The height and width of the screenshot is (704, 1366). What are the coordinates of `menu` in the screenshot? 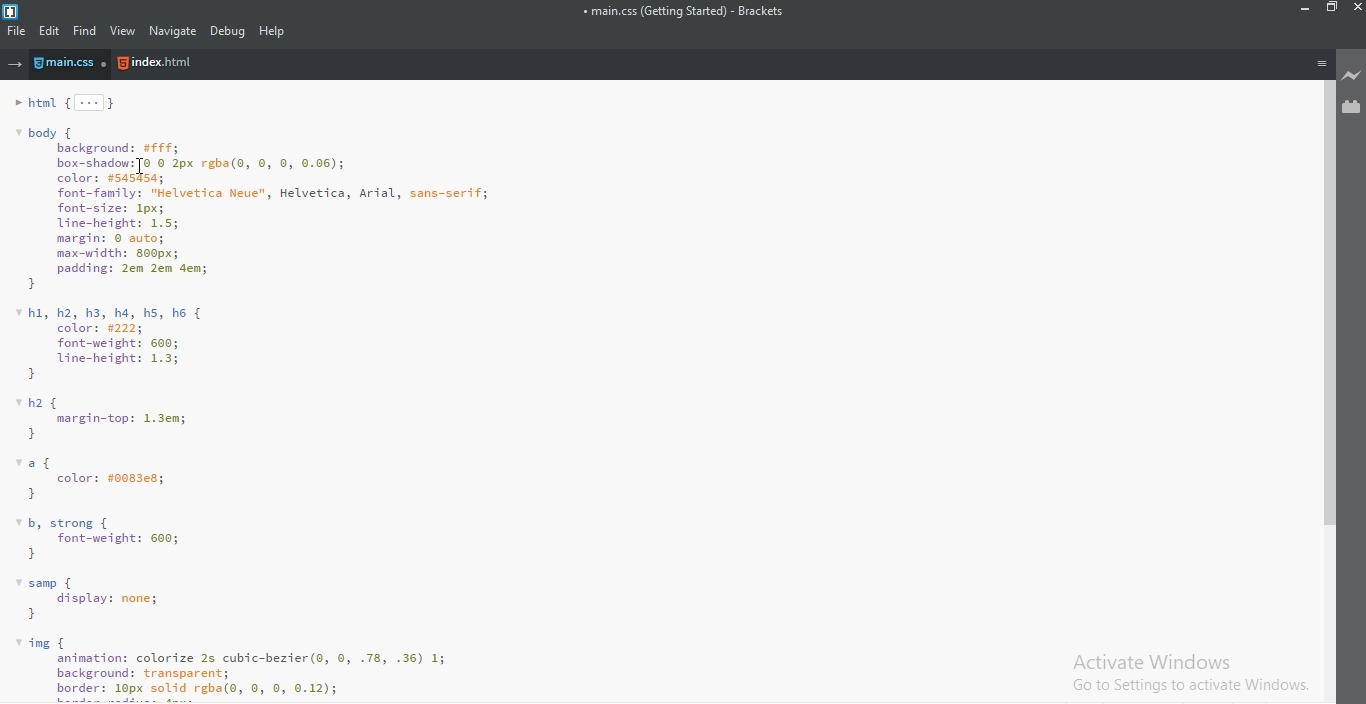 It's located at (1321, 63).